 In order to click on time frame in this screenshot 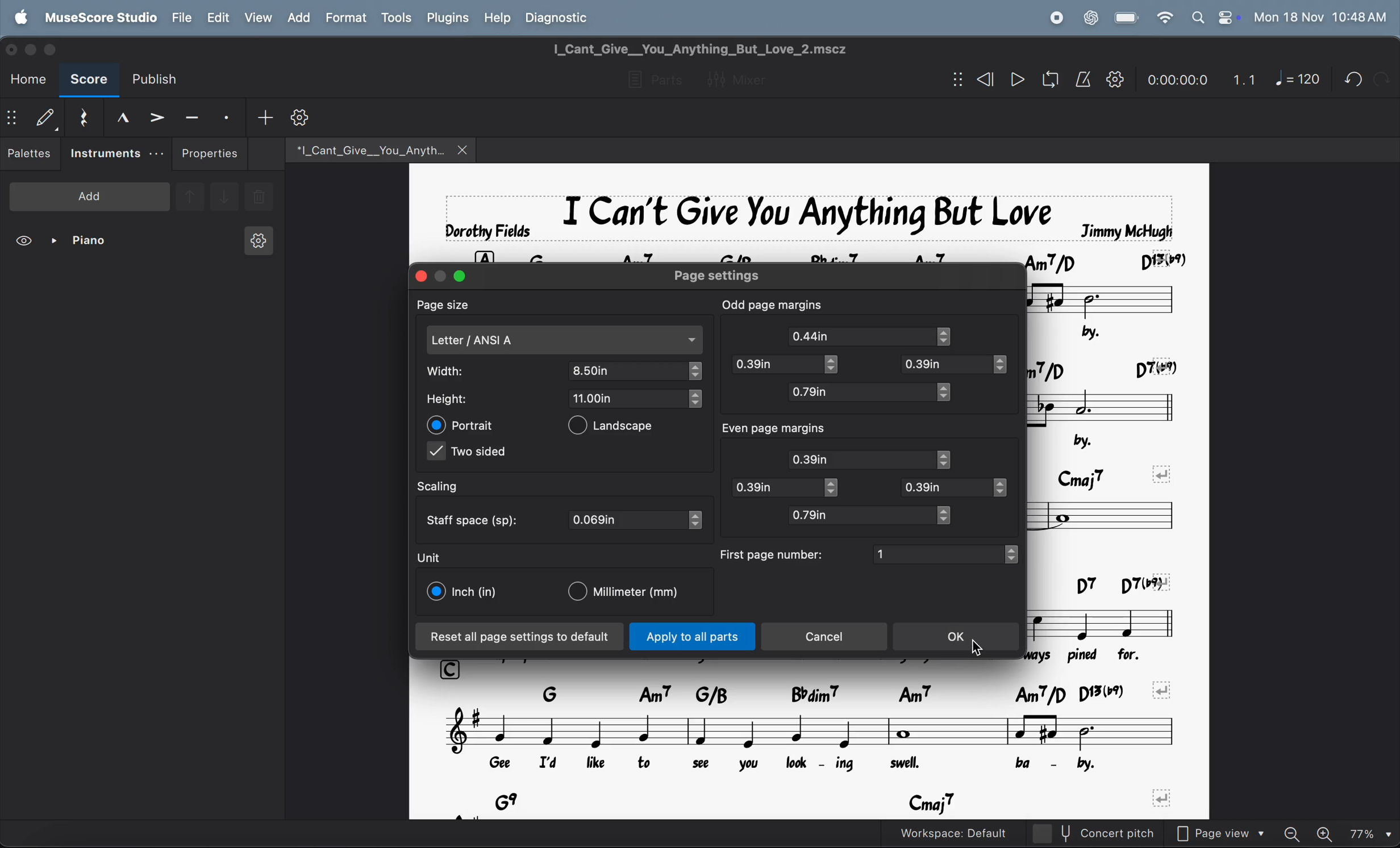, I will do `click(1174, 77)`.